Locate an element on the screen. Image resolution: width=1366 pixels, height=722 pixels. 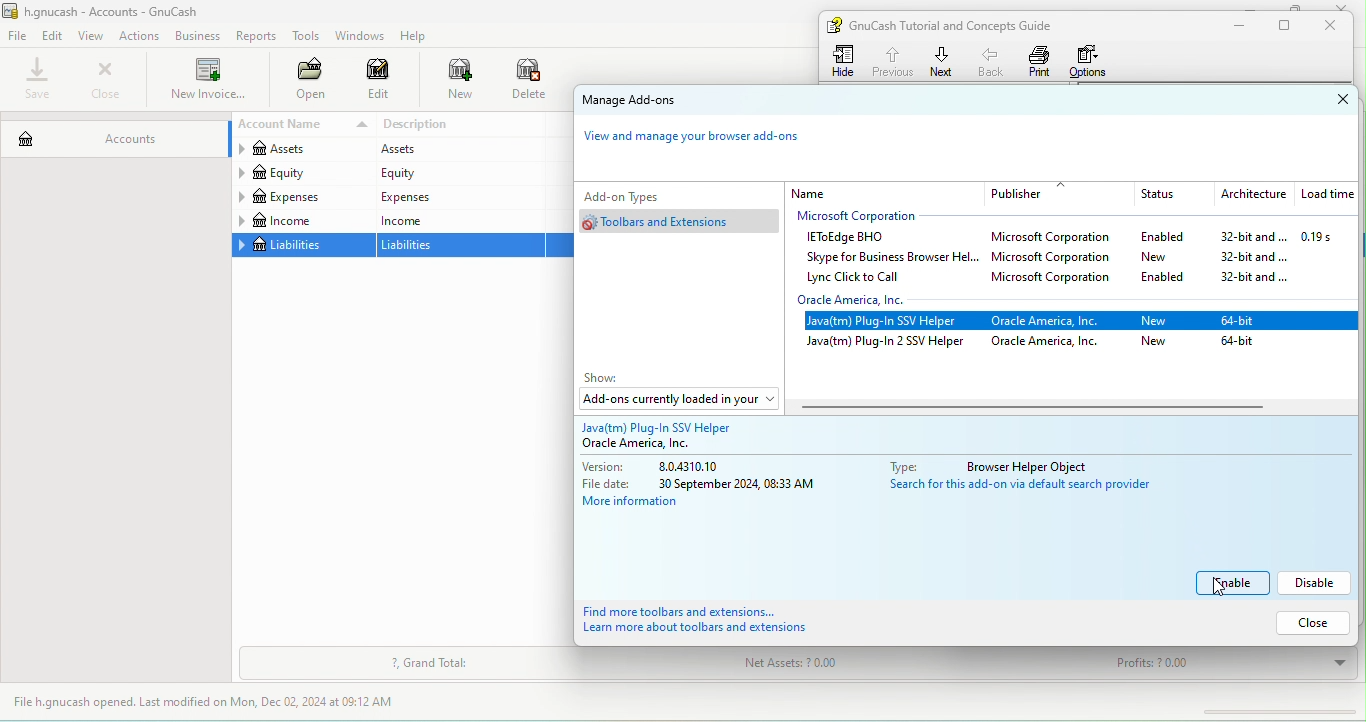
liabilities is located at coordinates (462, 246).